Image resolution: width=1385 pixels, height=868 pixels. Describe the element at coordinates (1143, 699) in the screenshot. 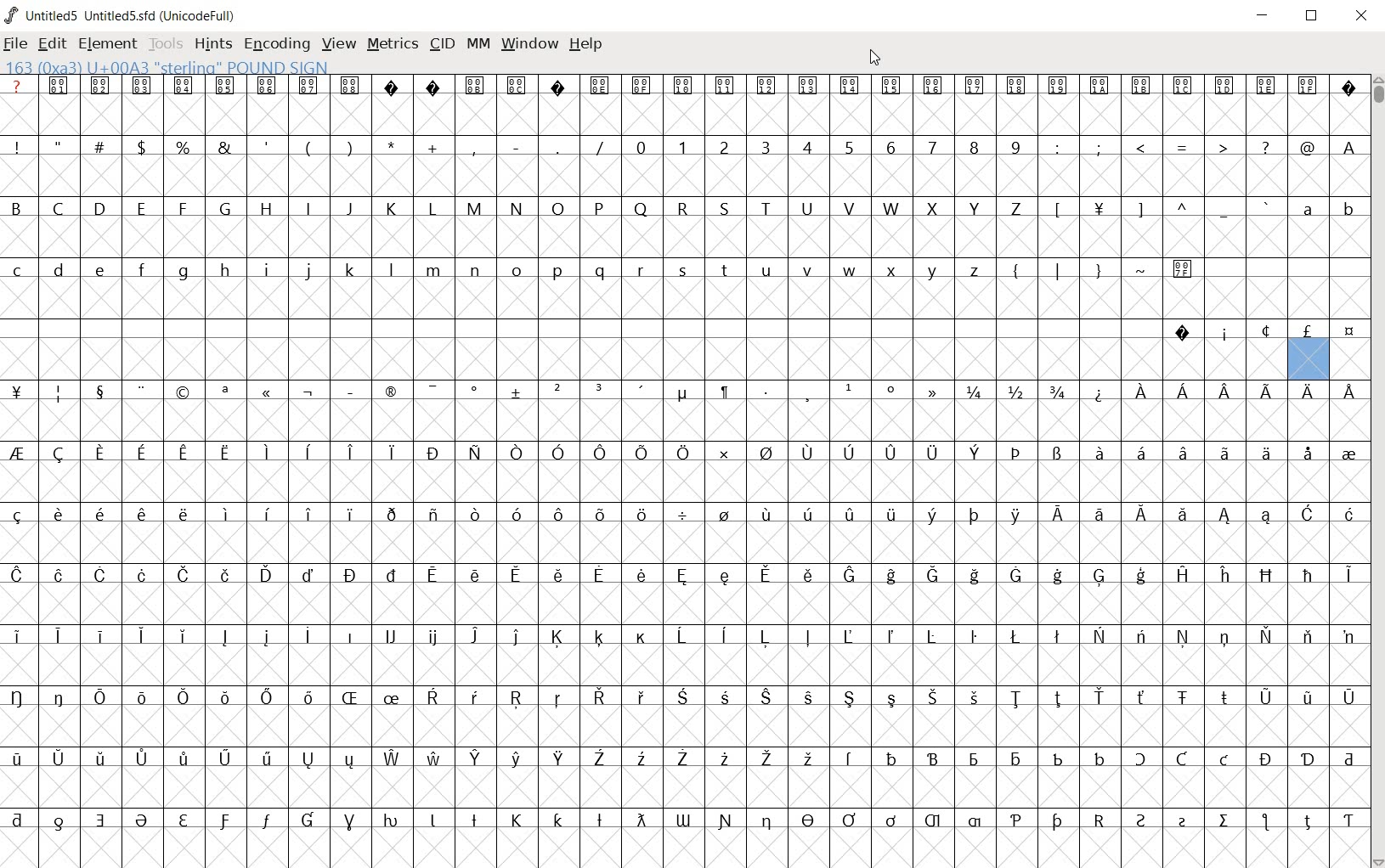

I see `Symbol` at that location.